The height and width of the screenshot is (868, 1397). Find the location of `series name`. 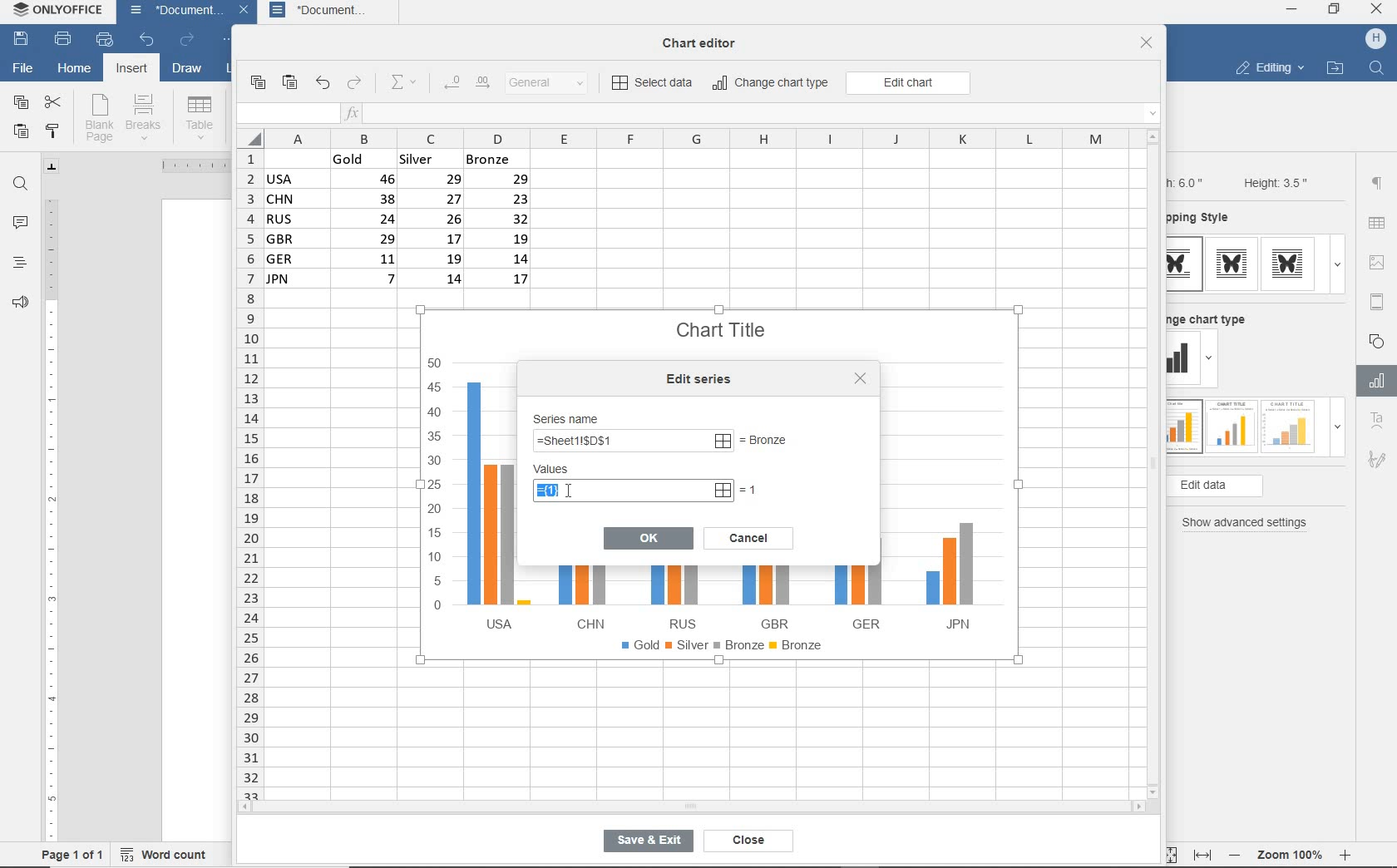

series name is located at coordinates (571, 417).